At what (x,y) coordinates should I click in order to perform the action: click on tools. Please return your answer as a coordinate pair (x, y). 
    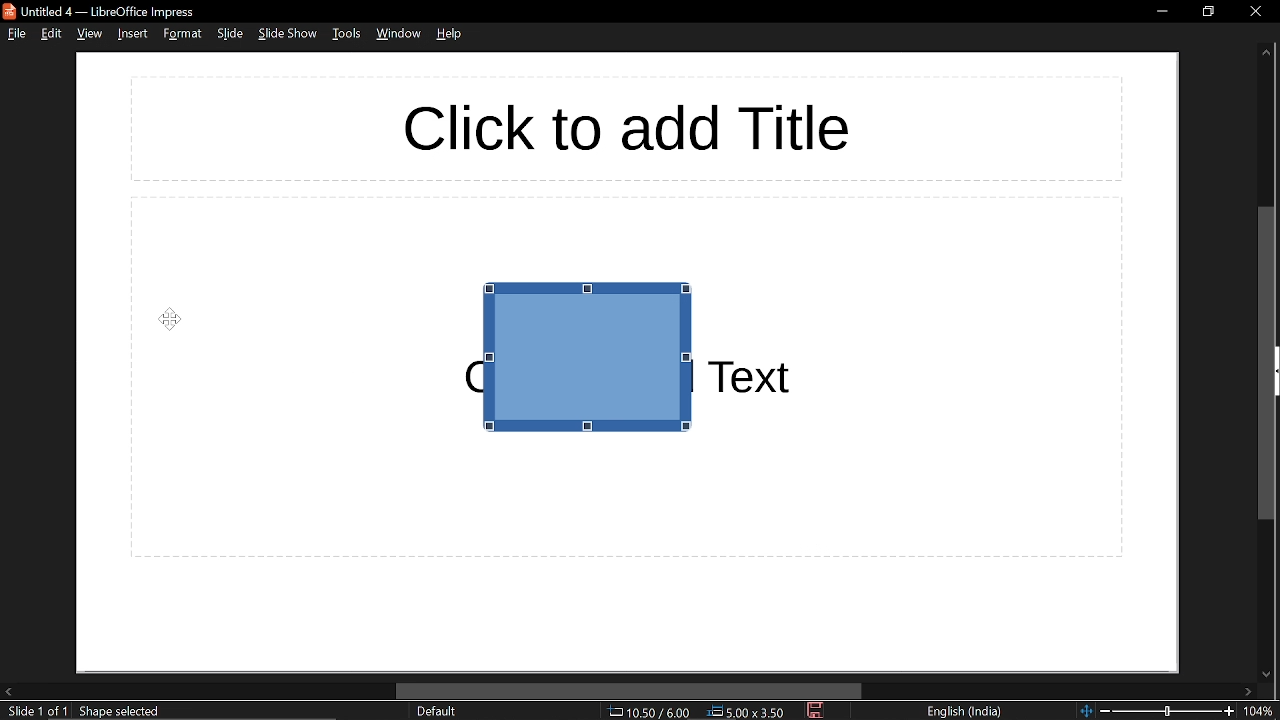
    Looking at the image, I should click on (348, 35).